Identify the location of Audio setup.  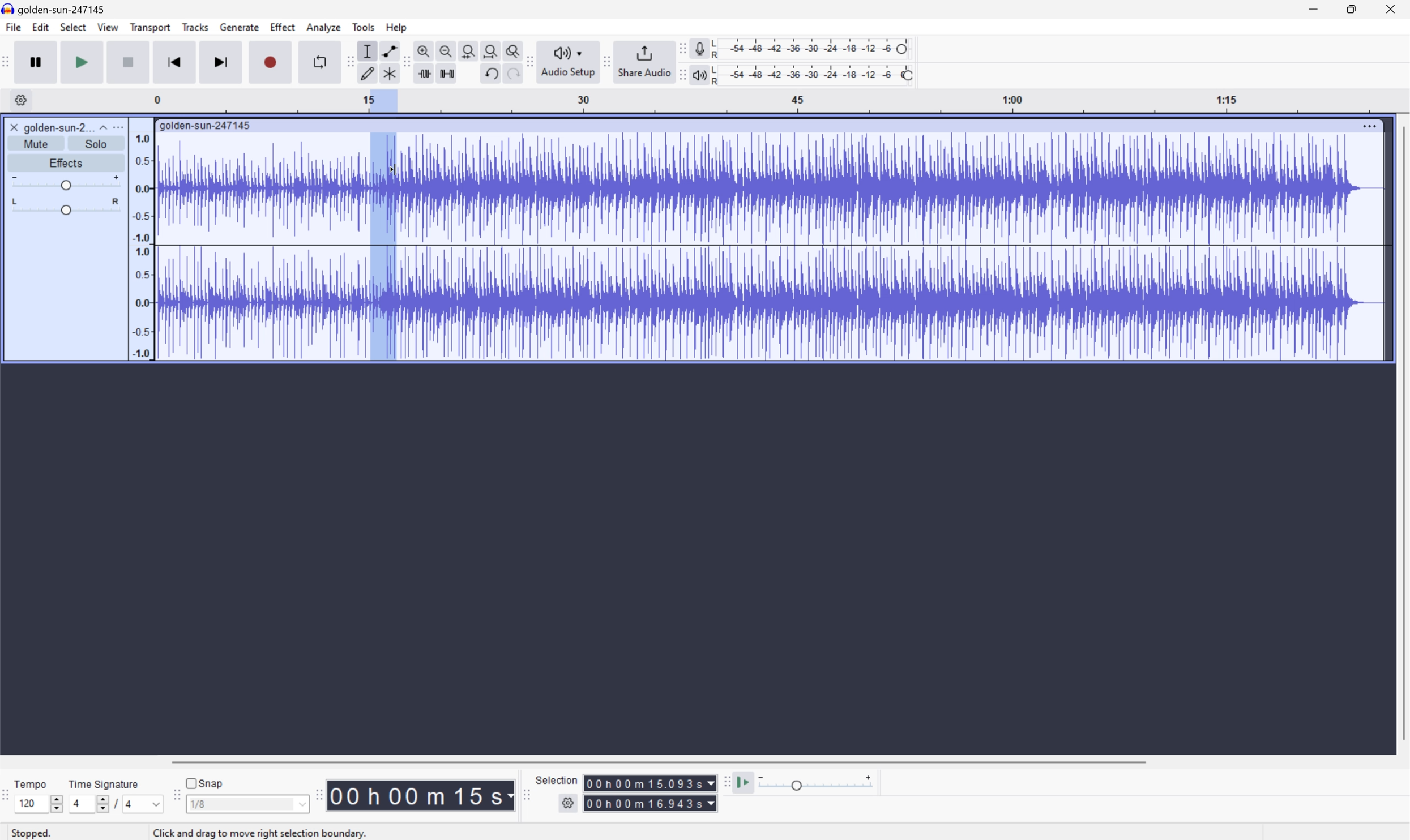
(570, 61).